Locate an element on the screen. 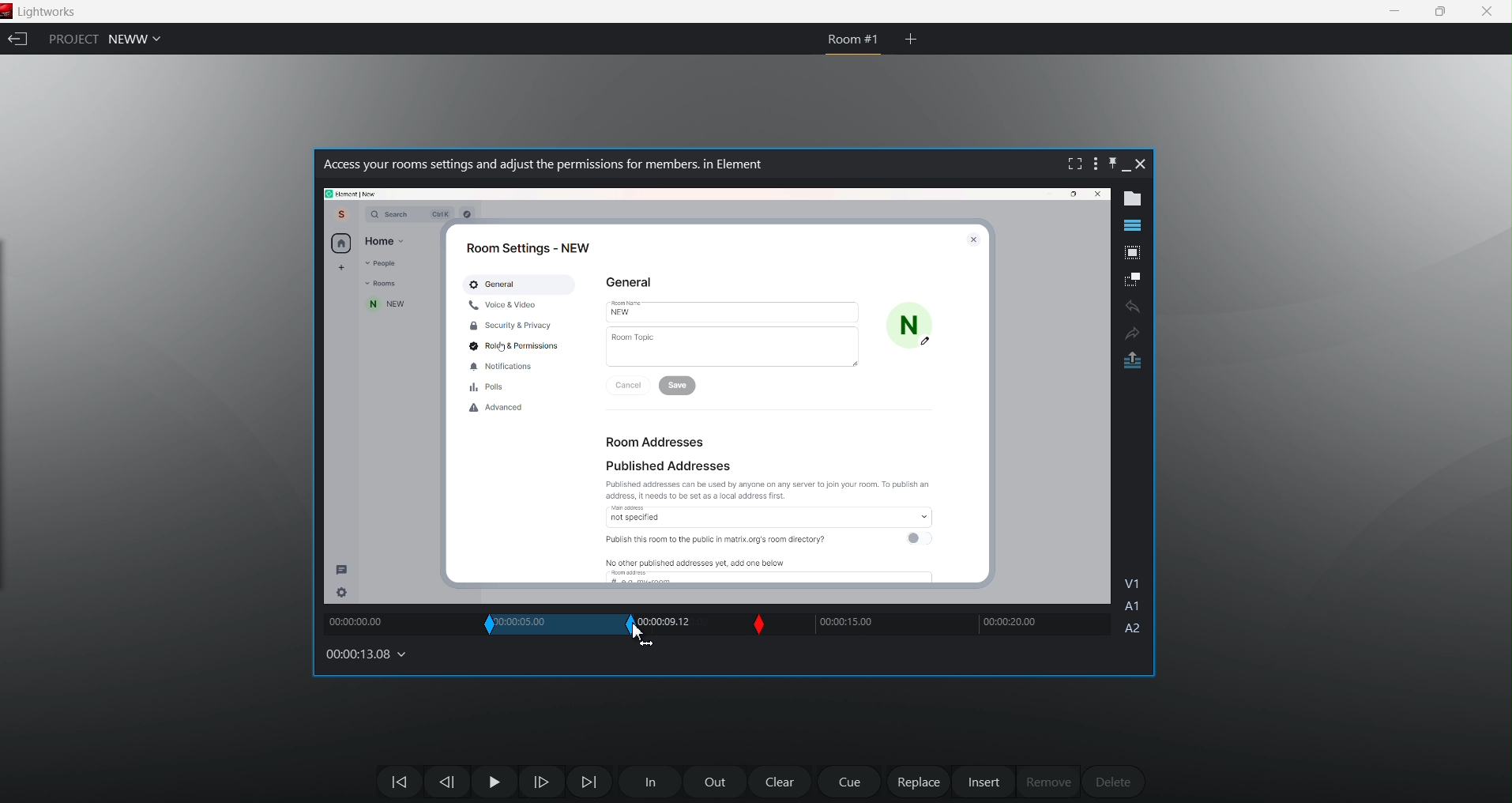 This screenshot has width=1512, height=803. out is located at coordinates (715, 780).